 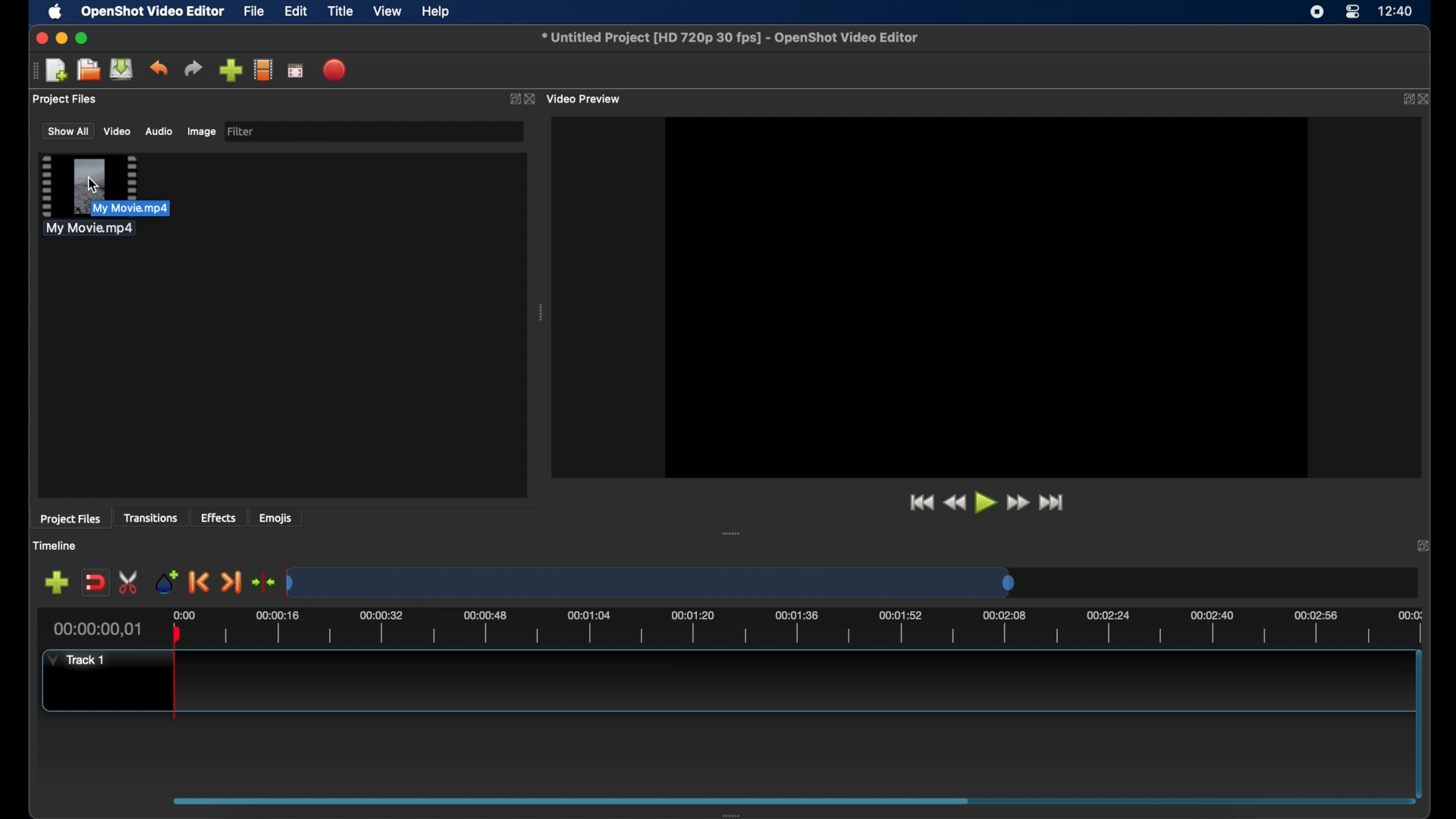 I want to click on transitions, so click(x=152, y=519).